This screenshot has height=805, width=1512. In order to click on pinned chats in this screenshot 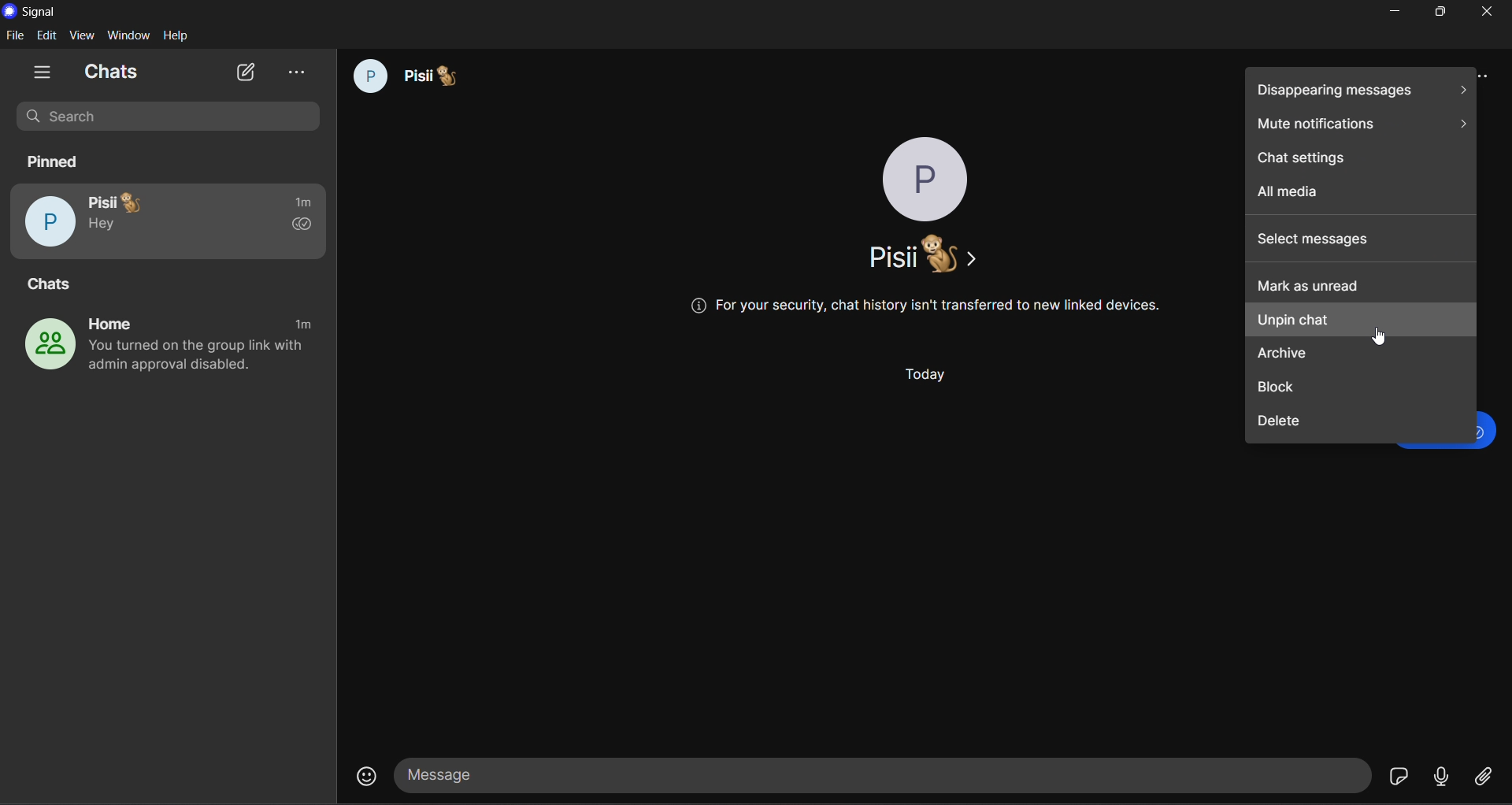, I will do `click(53, 161)`.